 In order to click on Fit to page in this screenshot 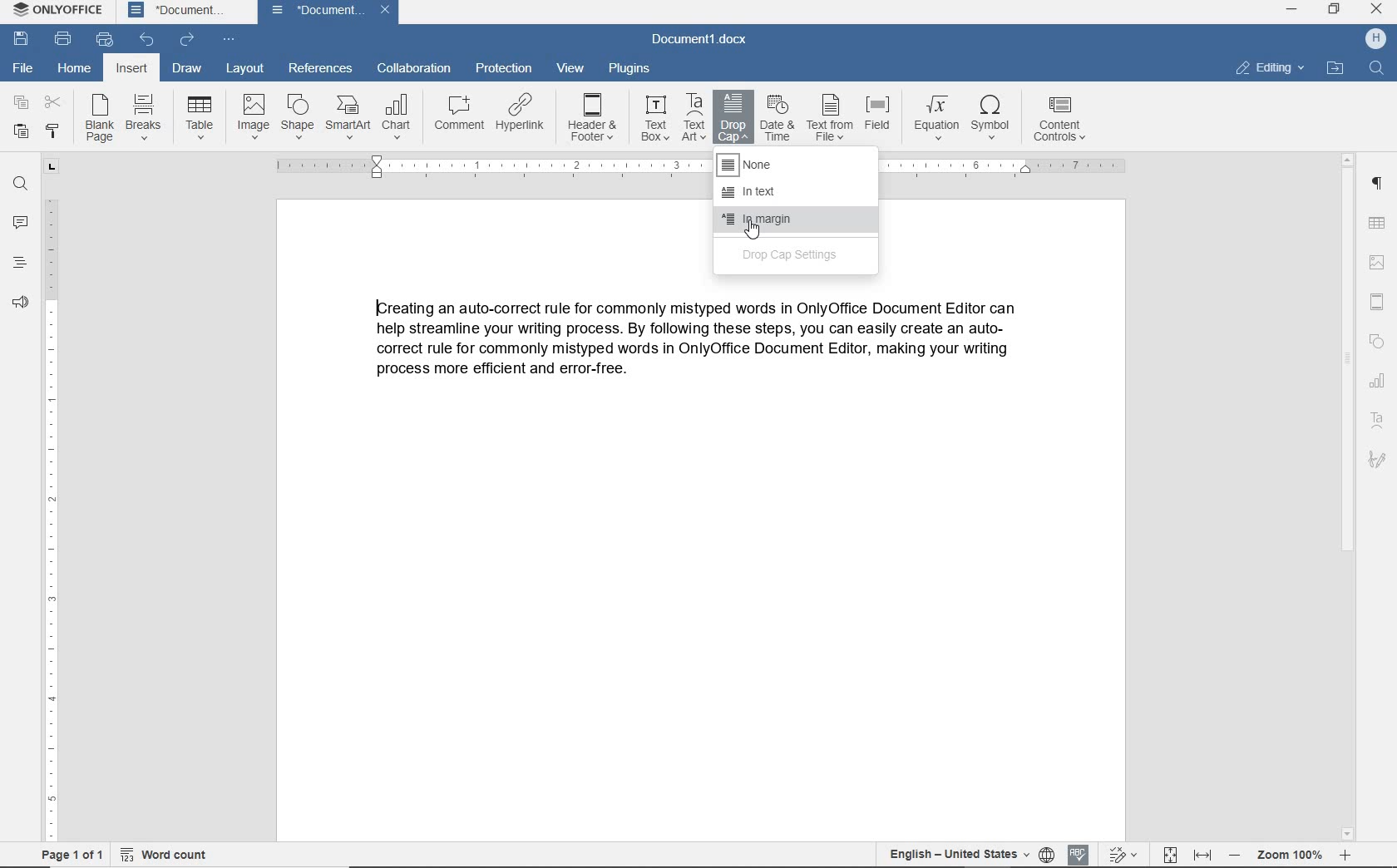, I will do `click(1171, 851)`.